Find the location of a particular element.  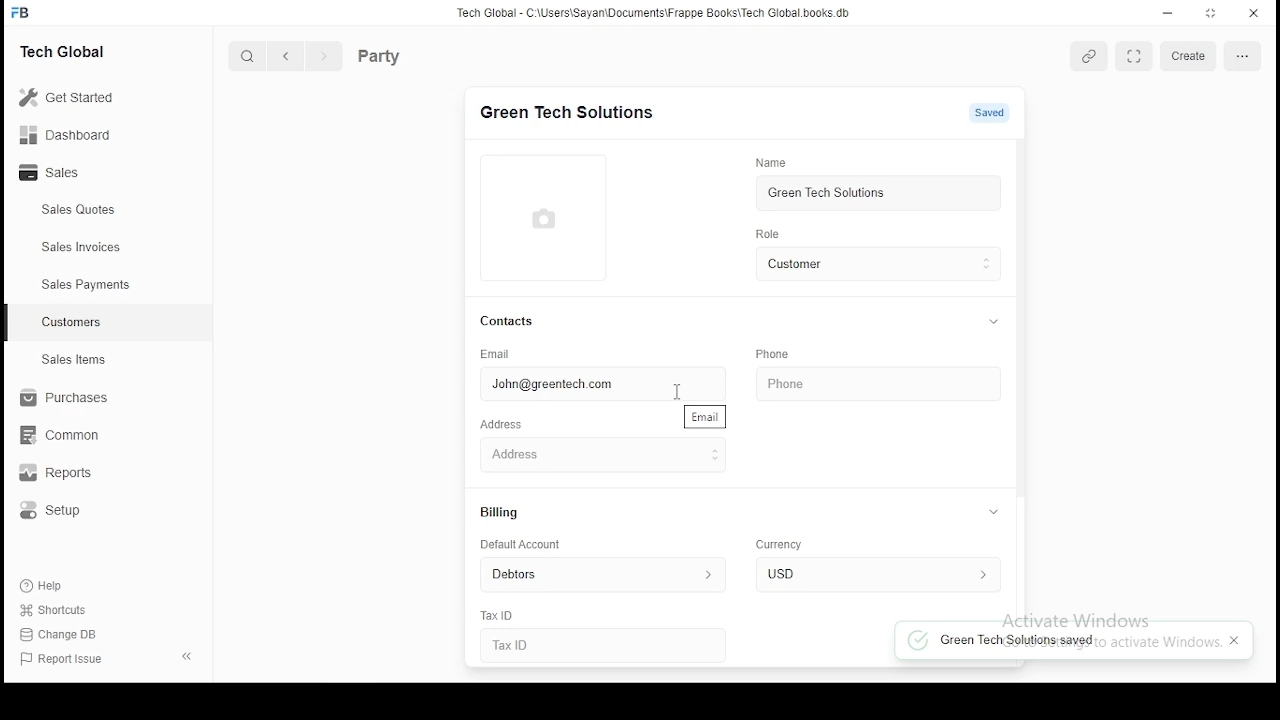

sales is located at coordinates (54, 174).